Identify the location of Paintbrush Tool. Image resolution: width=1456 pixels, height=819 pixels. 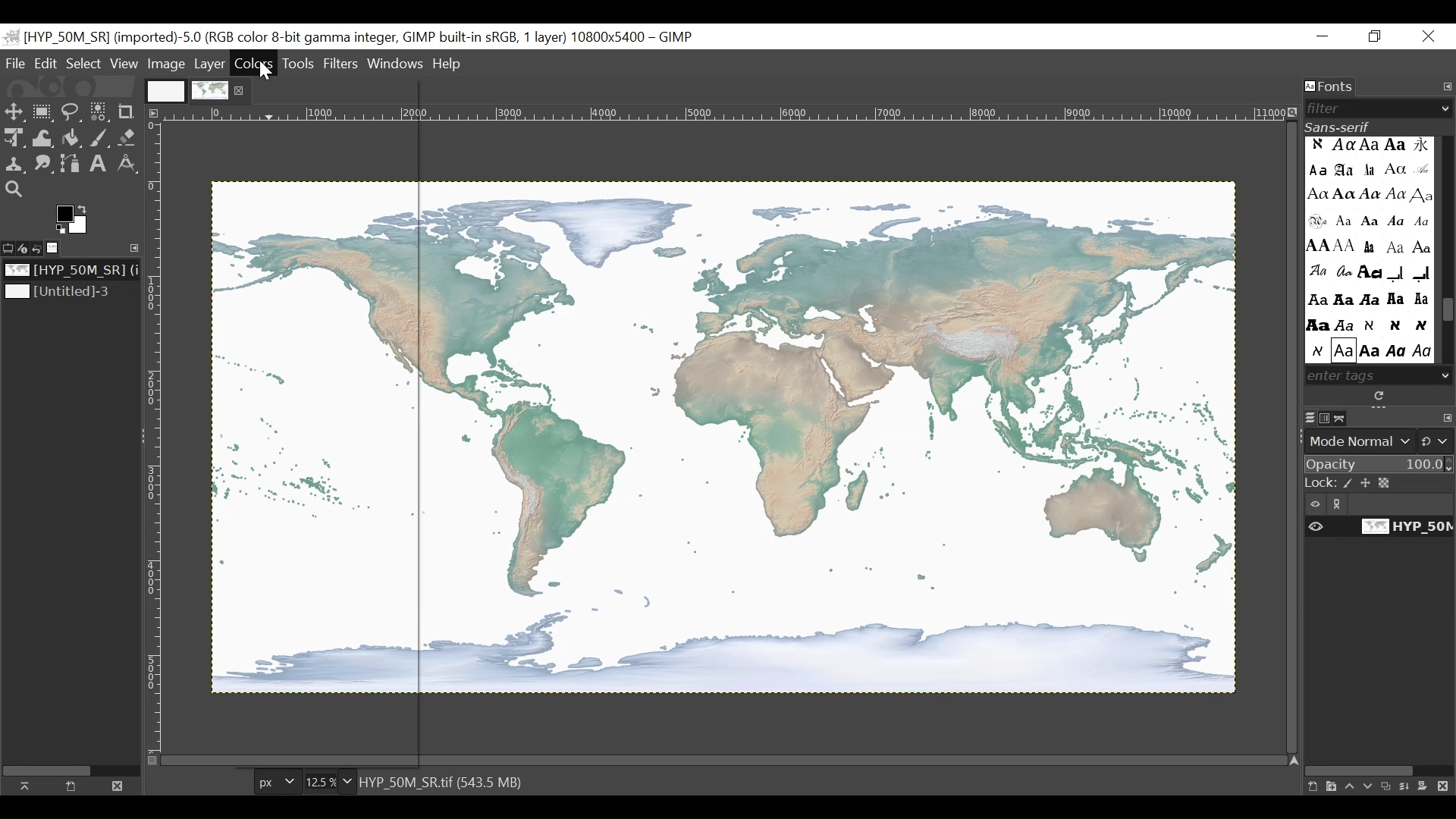
(101, 140).